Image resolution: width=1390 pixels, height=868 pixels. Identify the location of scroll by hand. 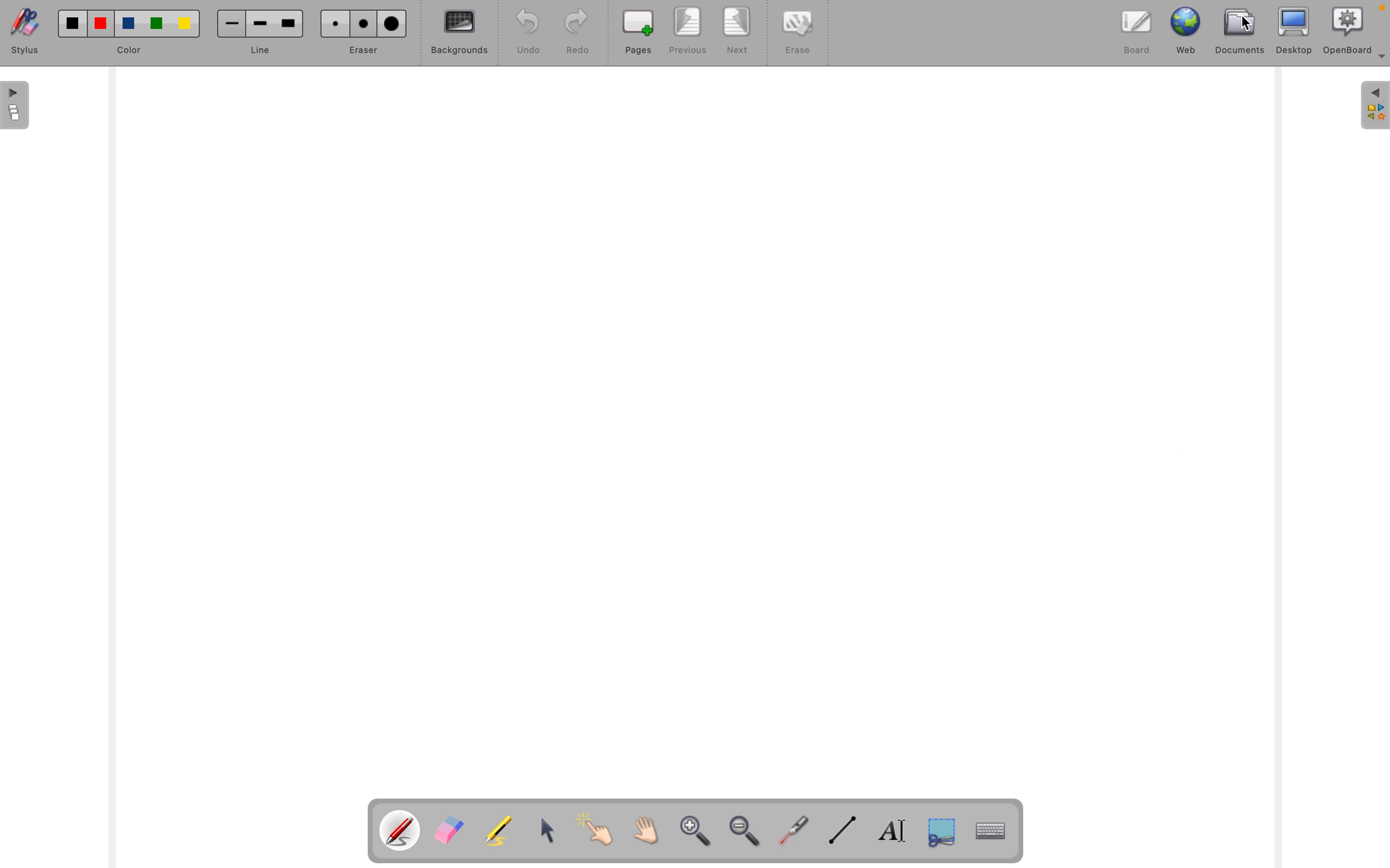
(653, 831).